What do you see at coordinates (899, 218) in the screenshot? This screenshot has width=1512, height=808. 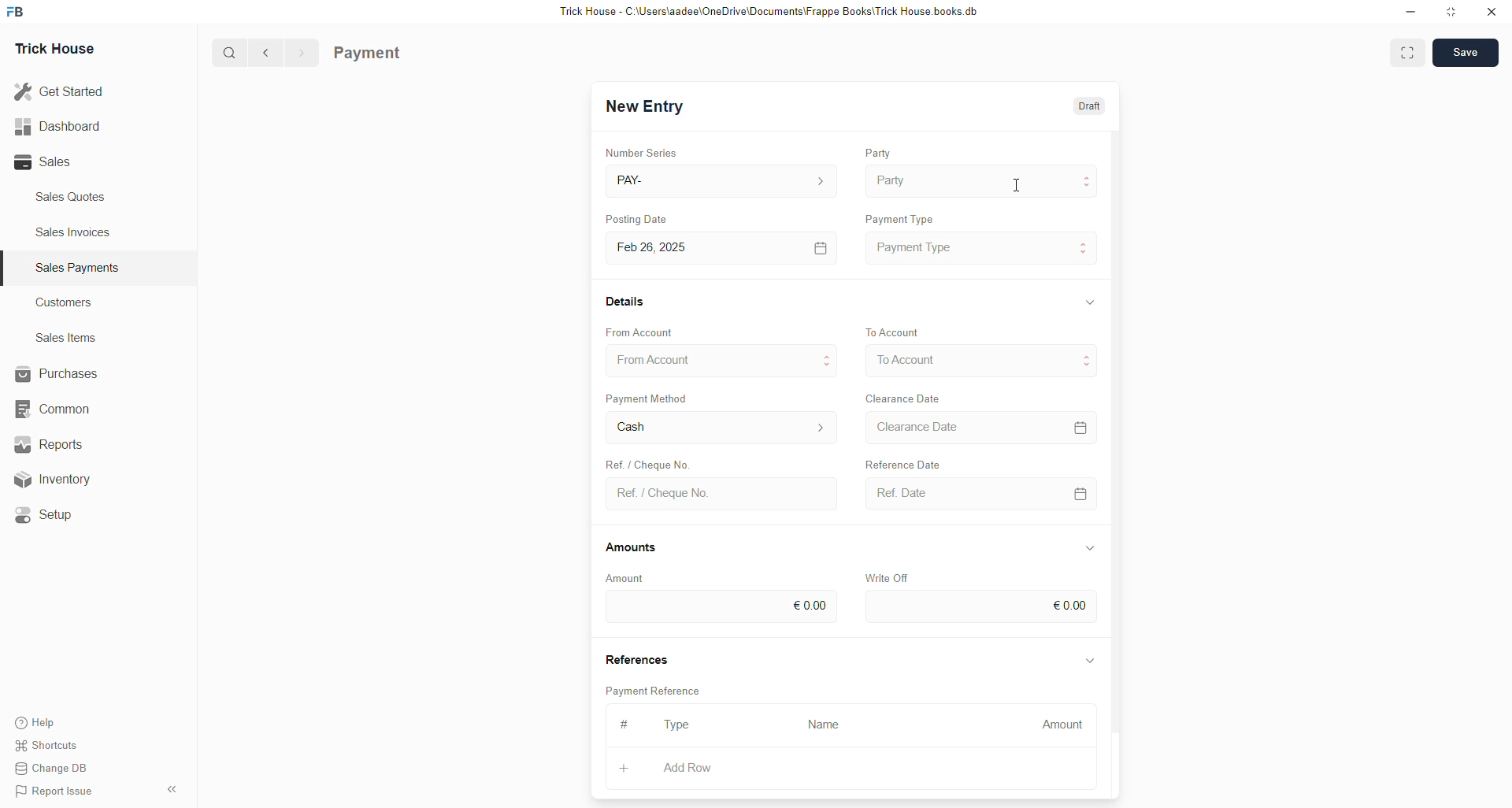 I see `Payment Type` at bounding box center [899, 218].